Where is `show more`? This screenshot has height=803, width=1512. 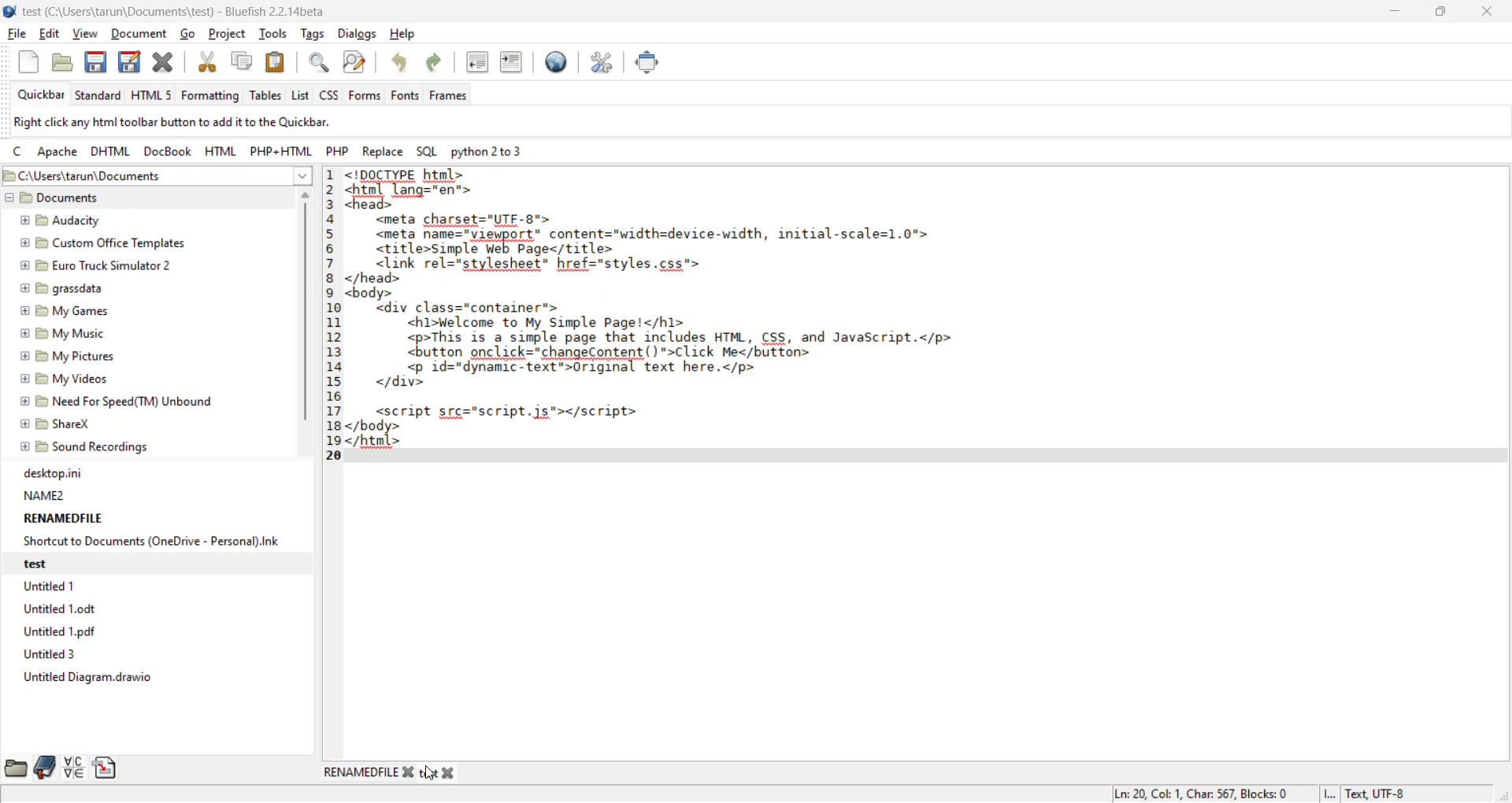
show more is located at coordinates (304, 176).